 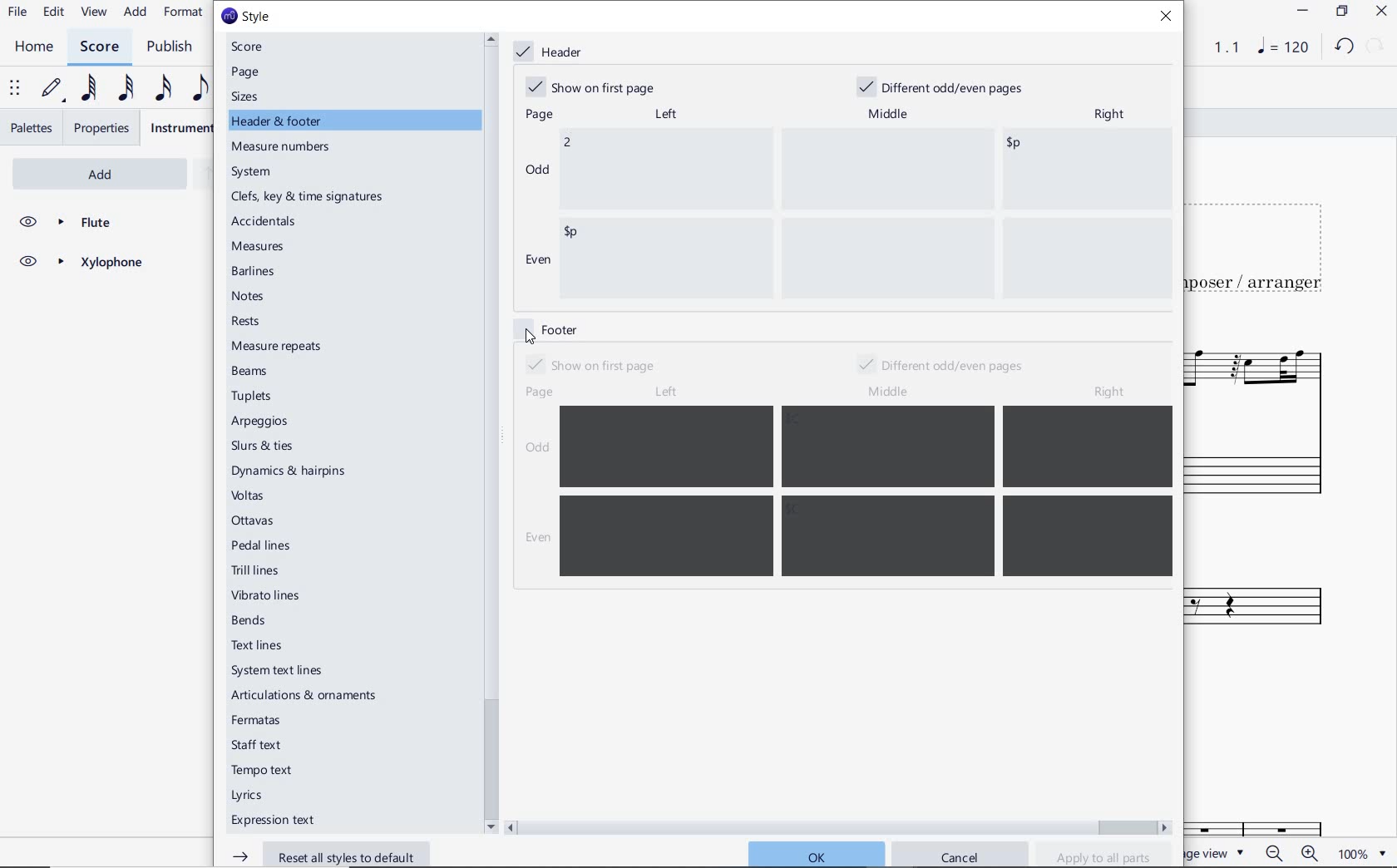 I want to click on tuplets, so click(x=254, y=397).